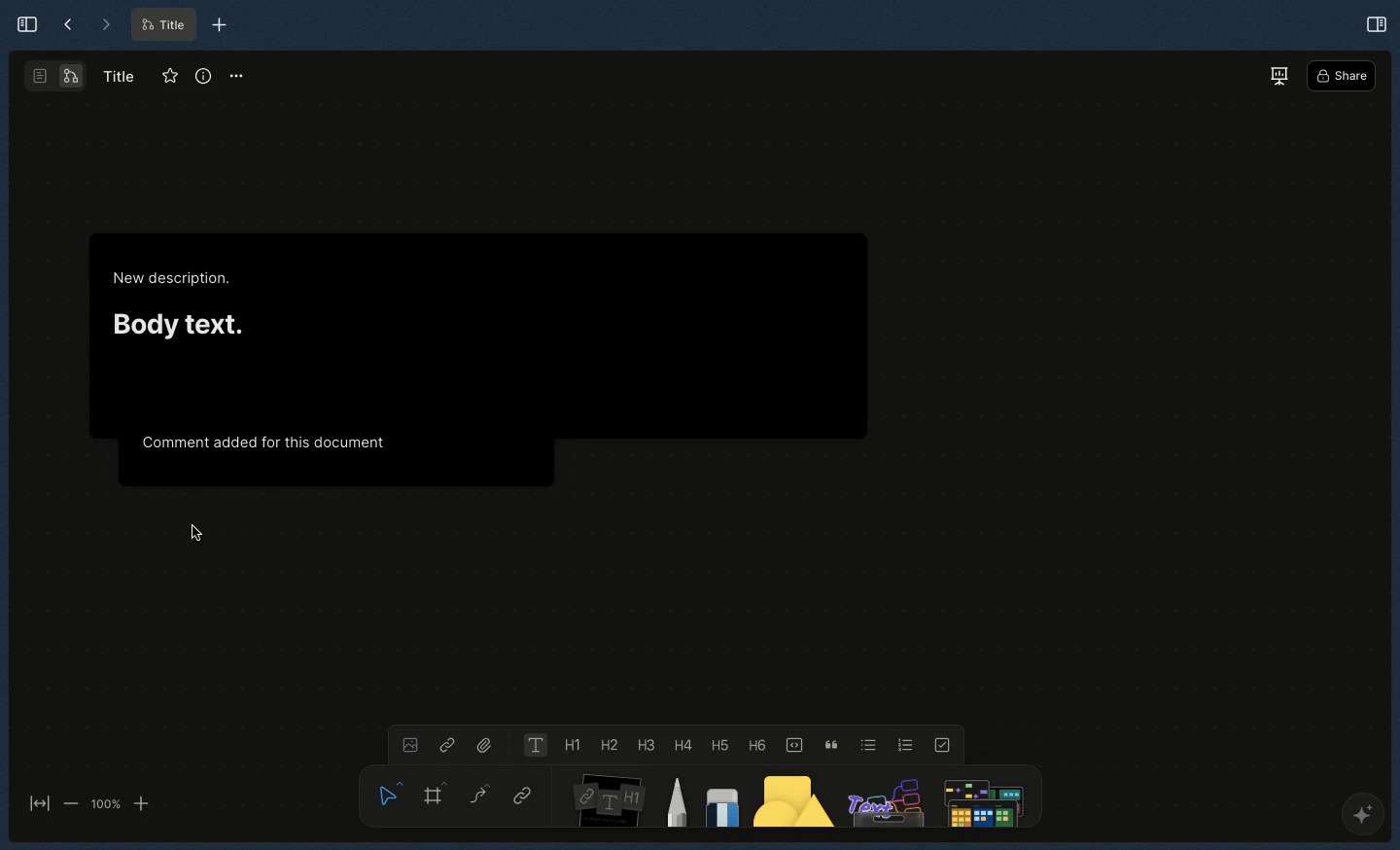  What do you see at coordinates (237, 75) in the screenshot?
I see `Options` at bounding box center [237, 75].